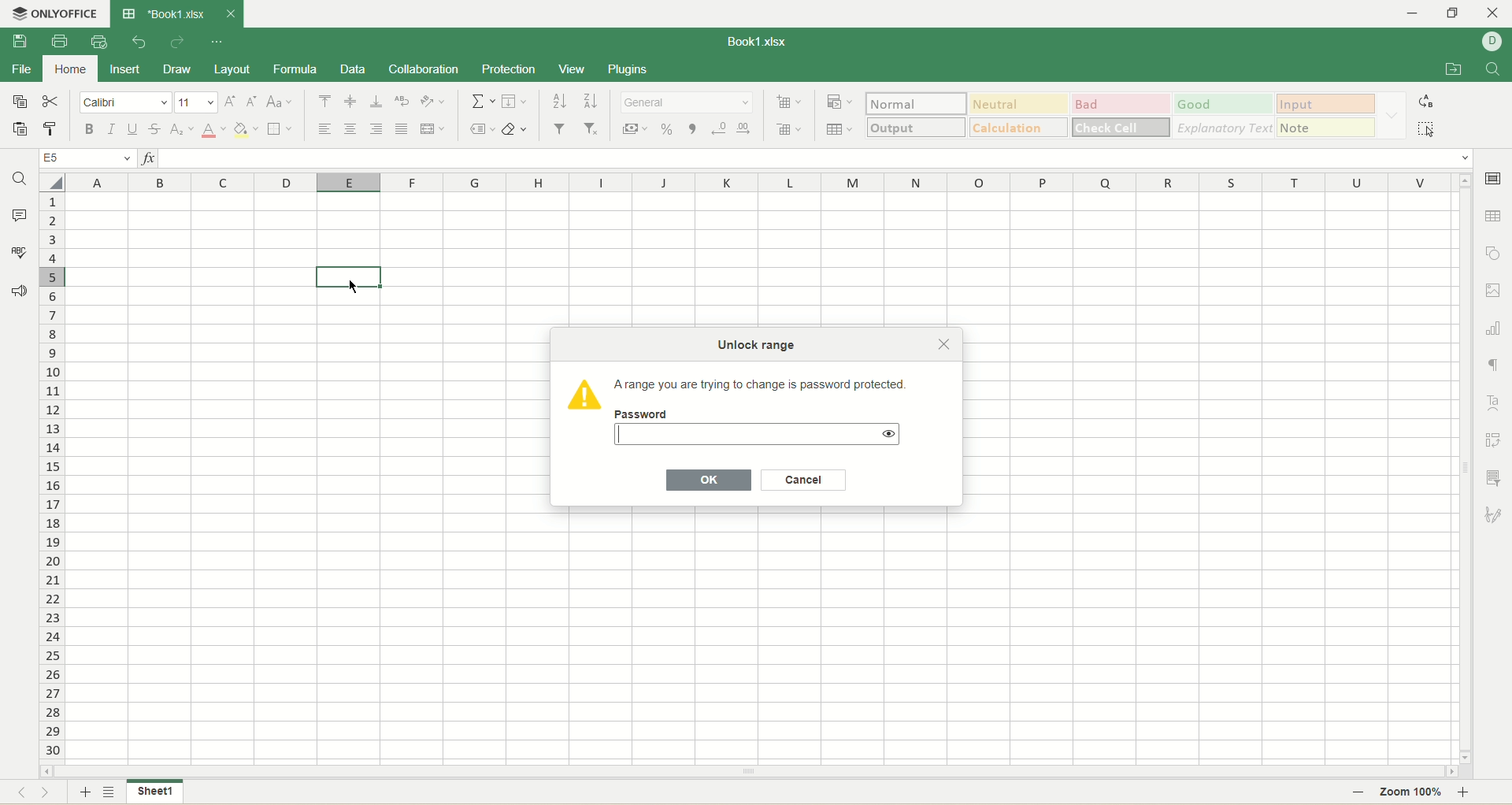 Image resolution: width=1512 pixels, height=805 pixels. Describe the element at coordinates (22, 180) in the screenshot. I see `find` at that location.